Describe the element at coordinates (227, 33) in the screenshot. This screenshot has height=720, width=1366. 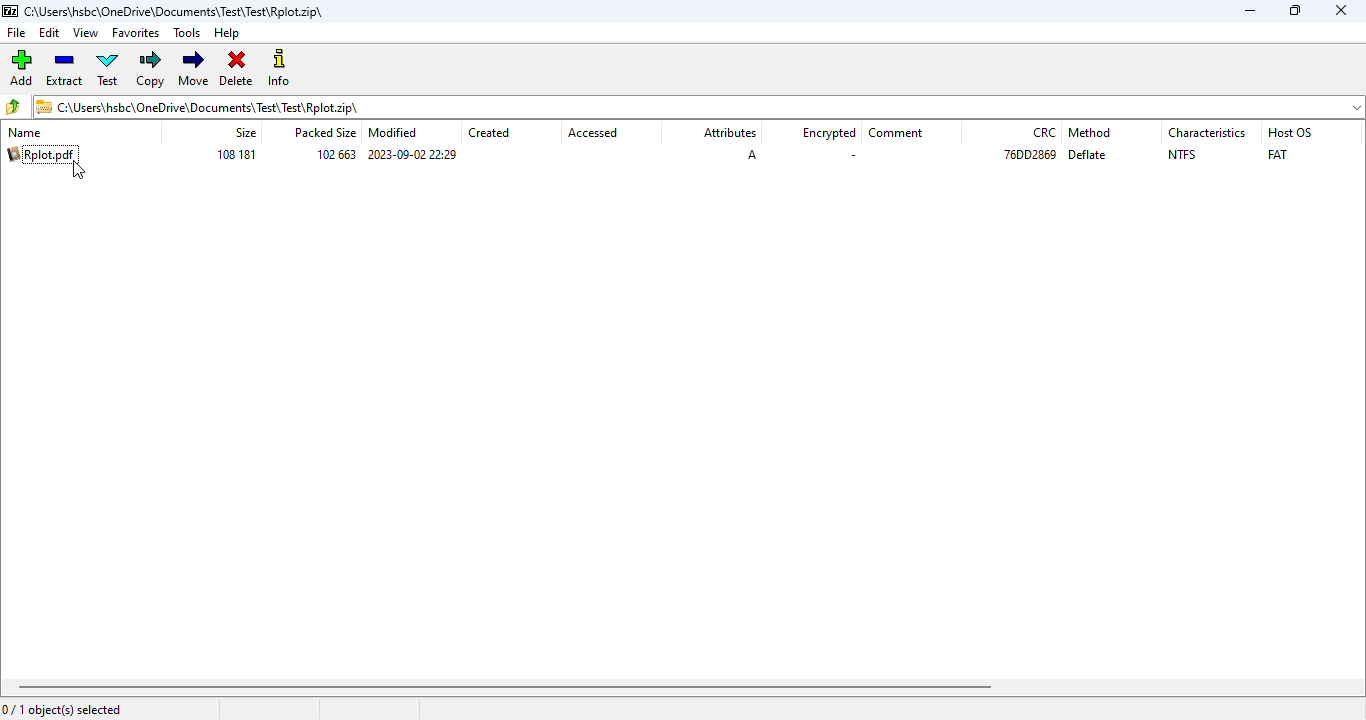
I see `help` at that location.